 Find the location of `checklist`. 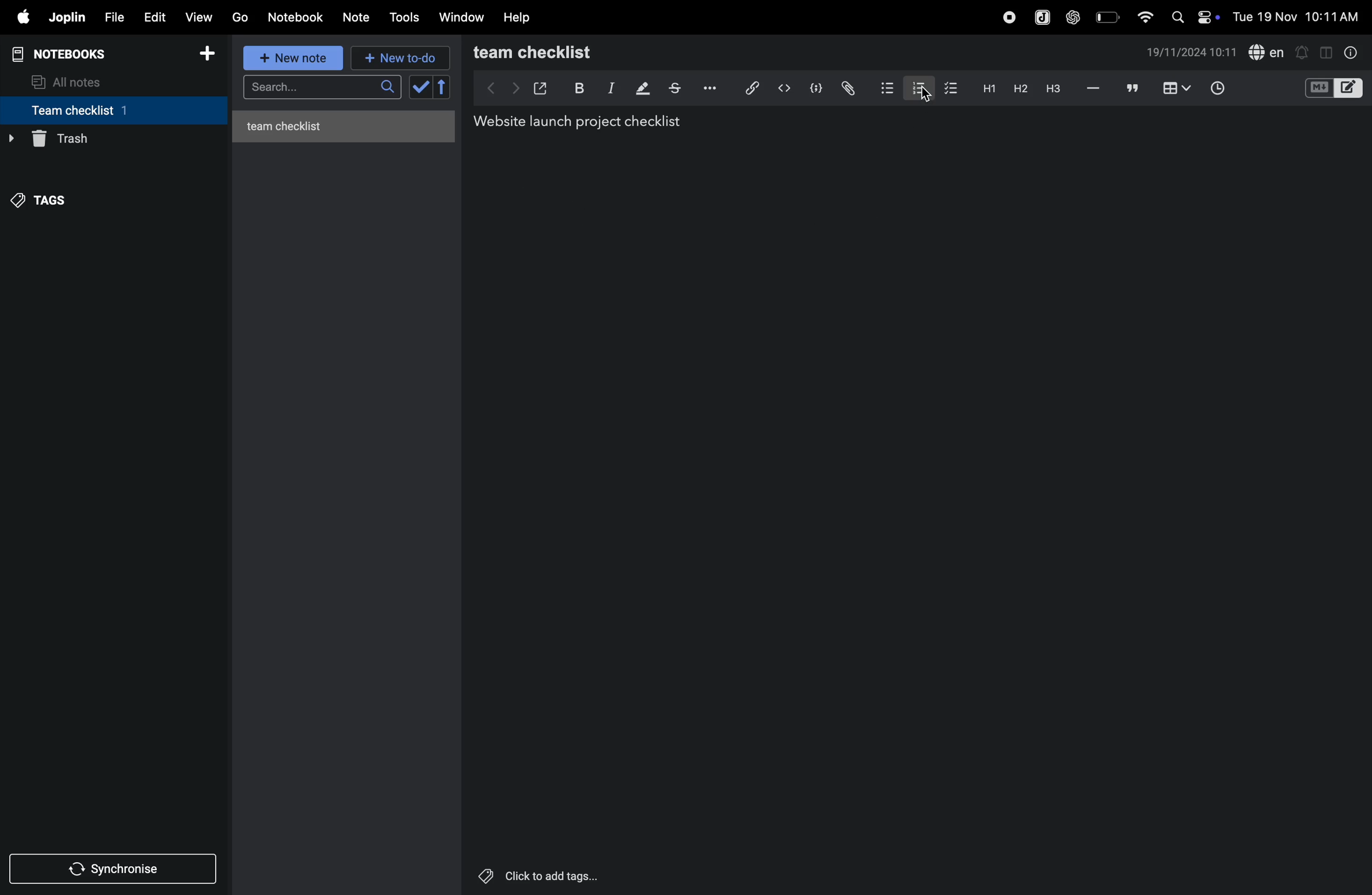

checklist is located at coordinates (952, 89).